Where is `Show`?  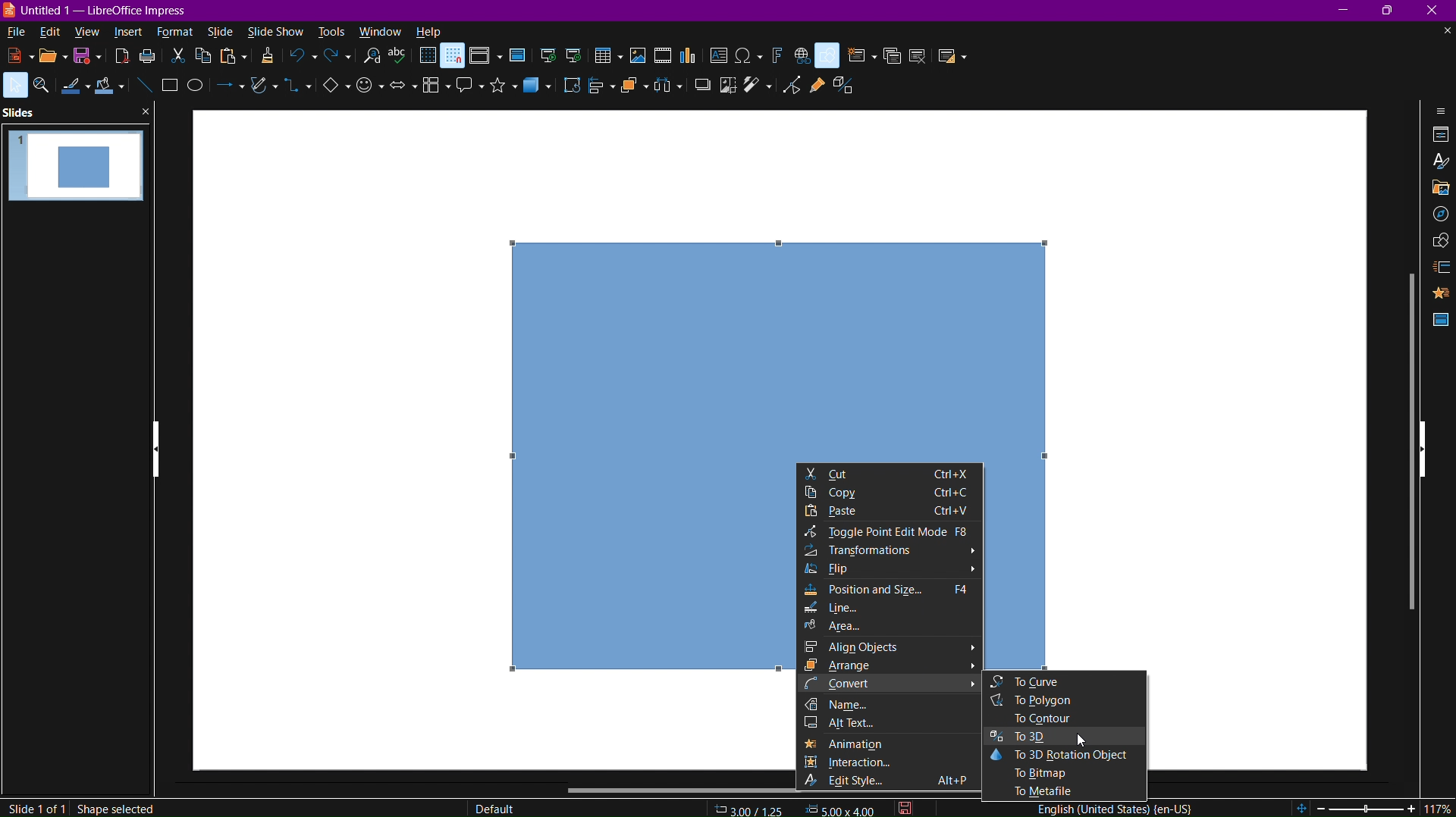
Show is located at coordinates (157, 451).